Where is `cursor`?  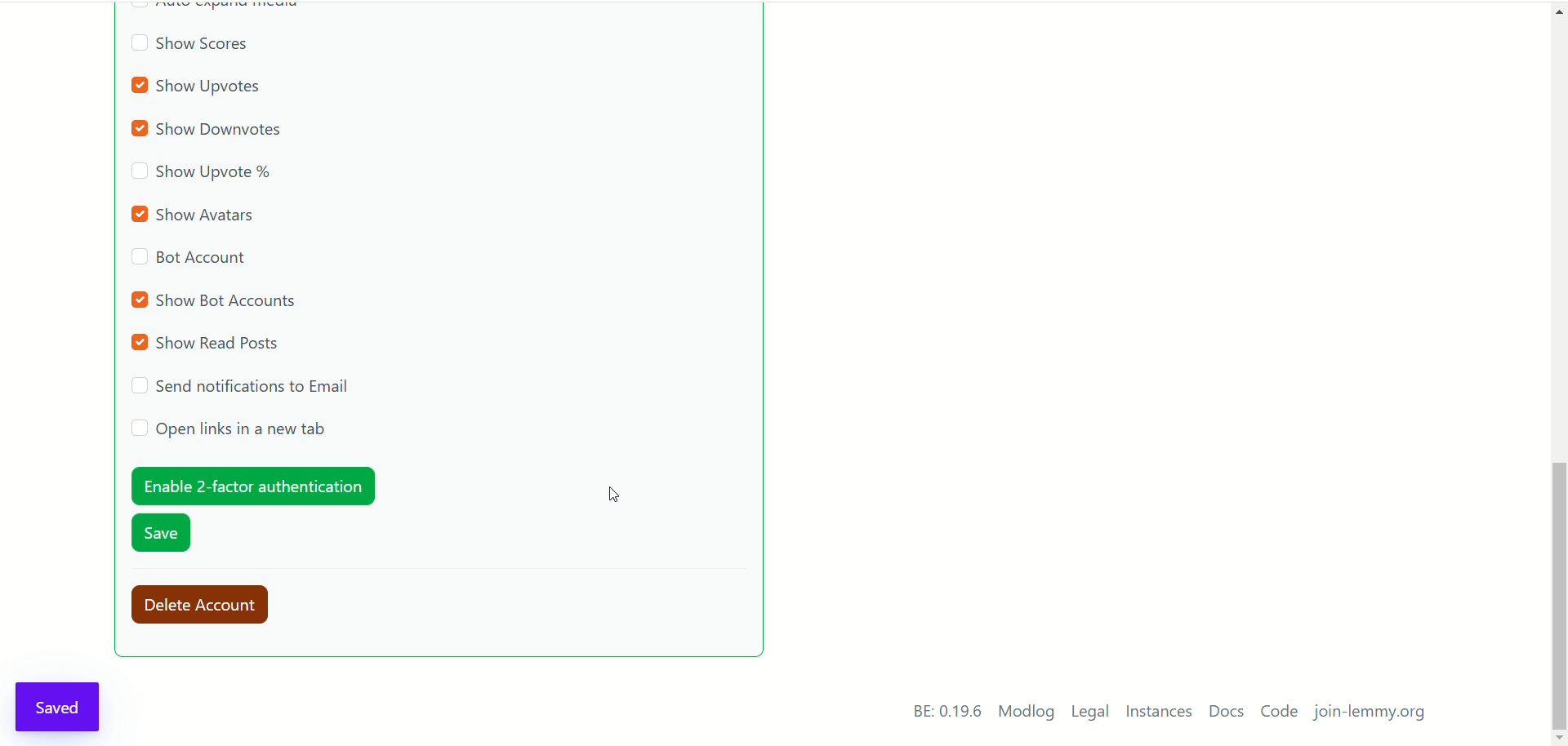
cursor is located at coordinates (614, 495).